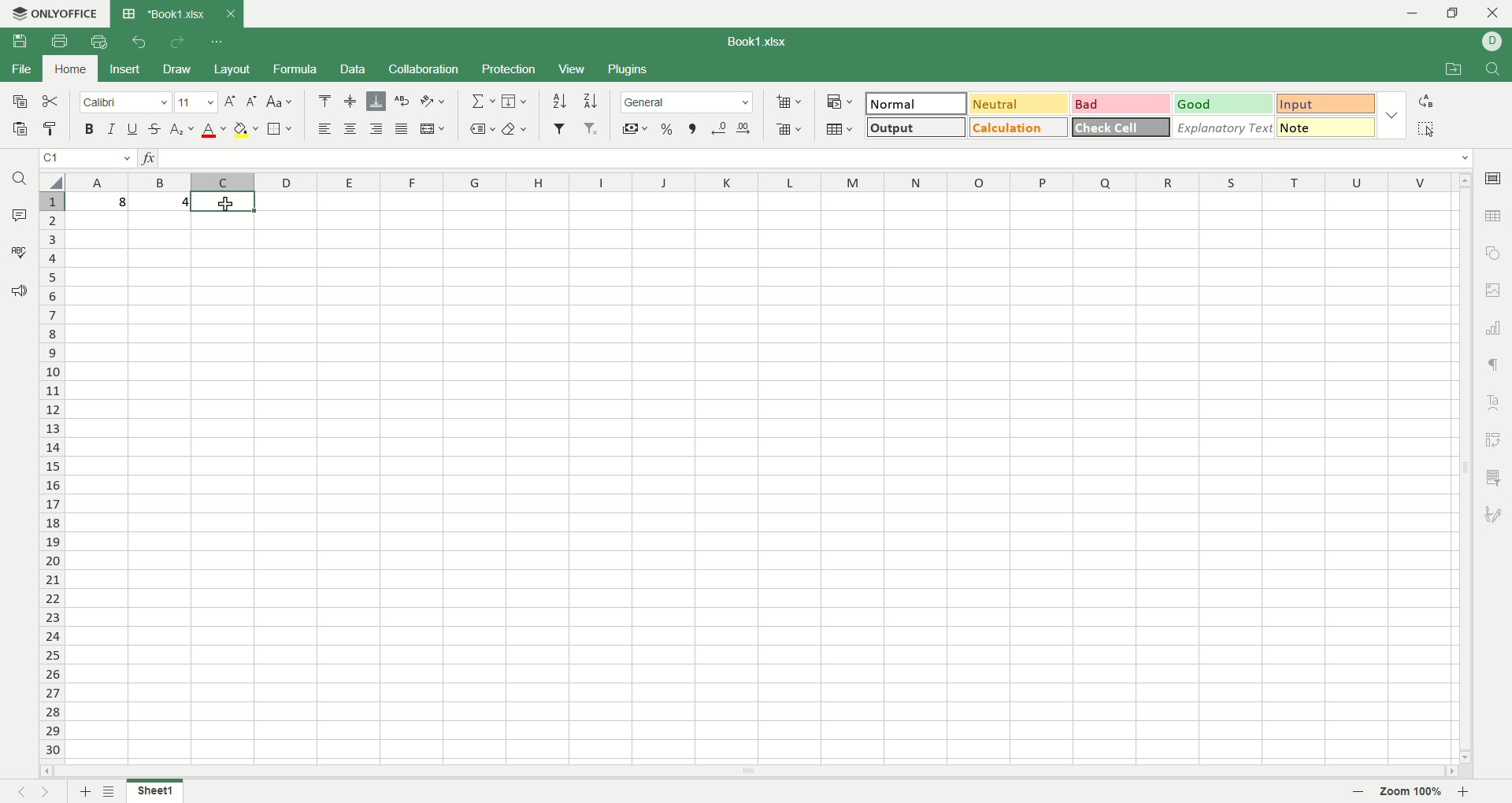  I want to click on insert, so click(124, 70).